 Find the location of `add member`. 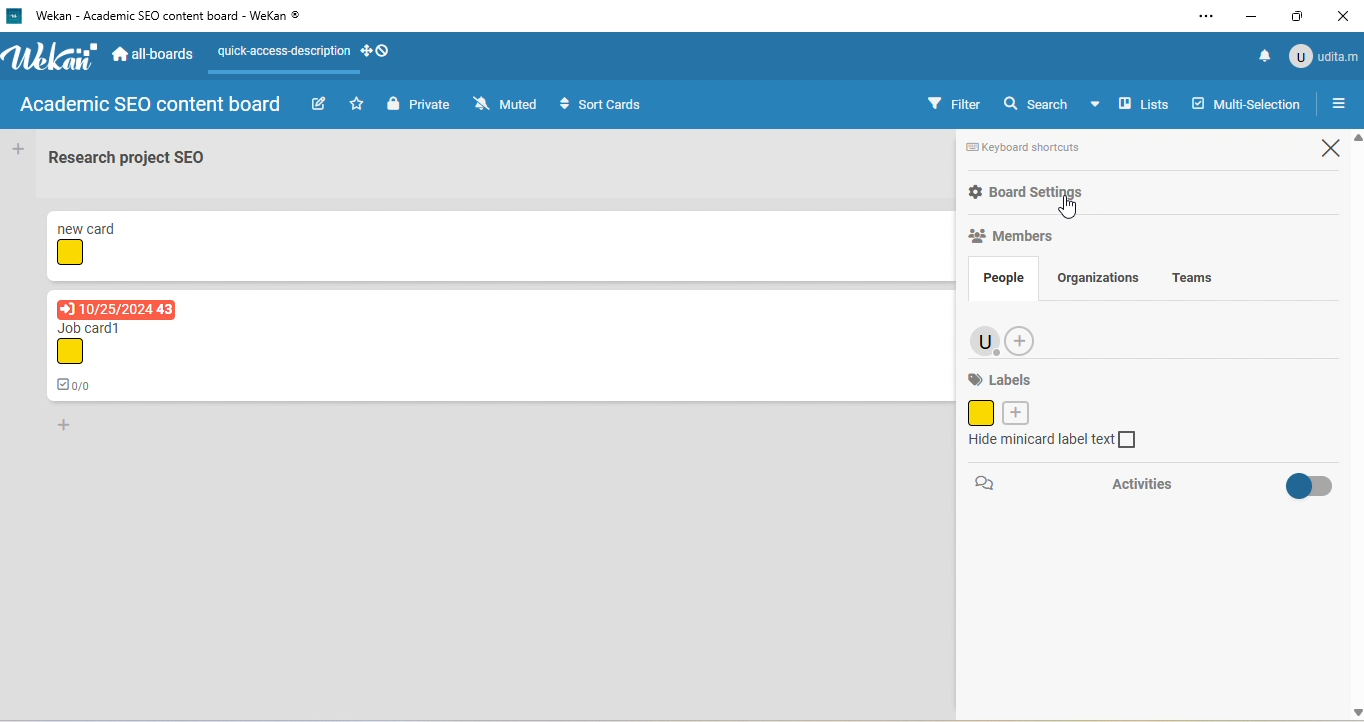

add member is located at coordinates (1031, 341).